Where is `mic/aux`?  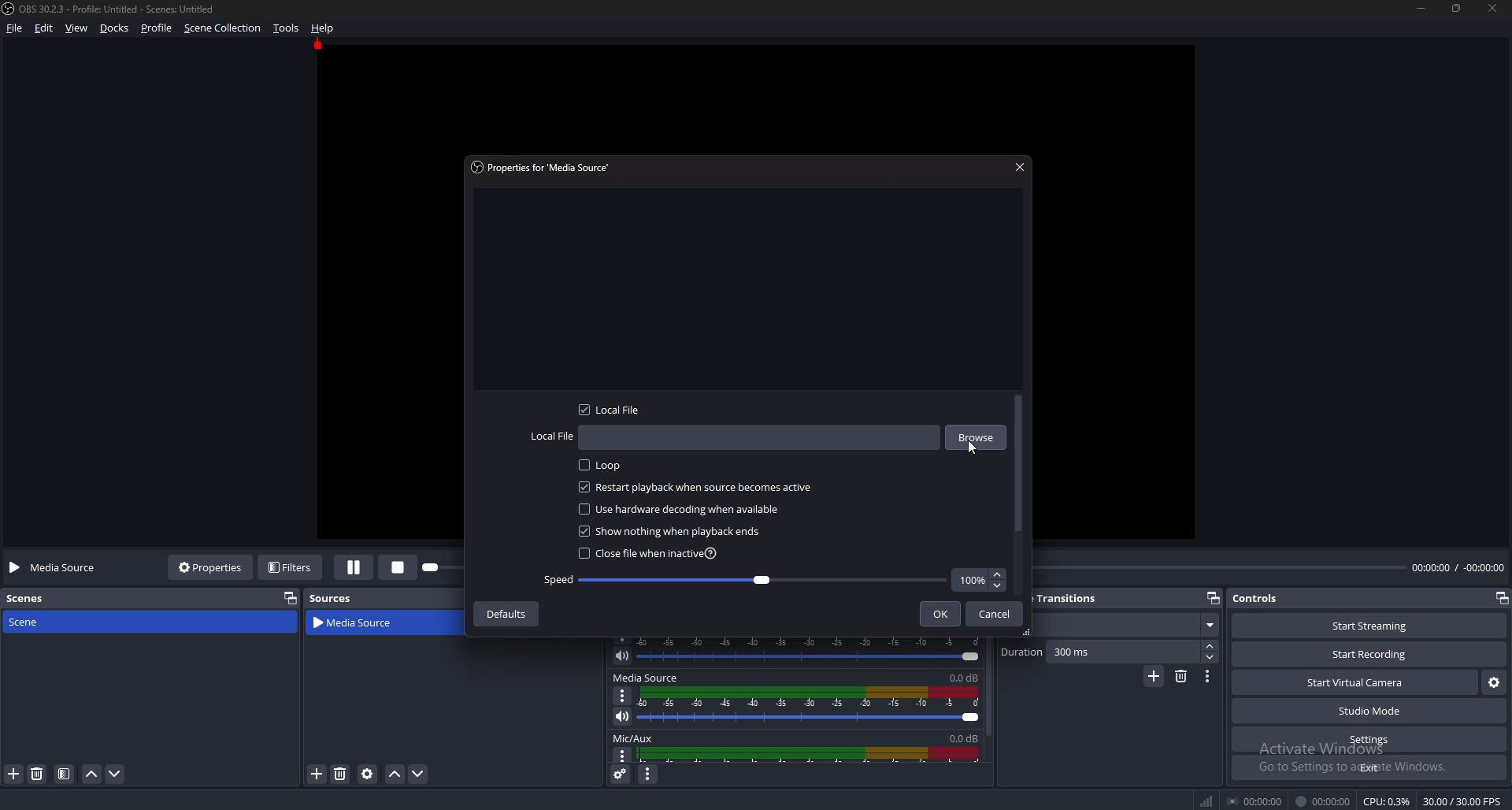
mic/aux is located at coordinates (636, 738).